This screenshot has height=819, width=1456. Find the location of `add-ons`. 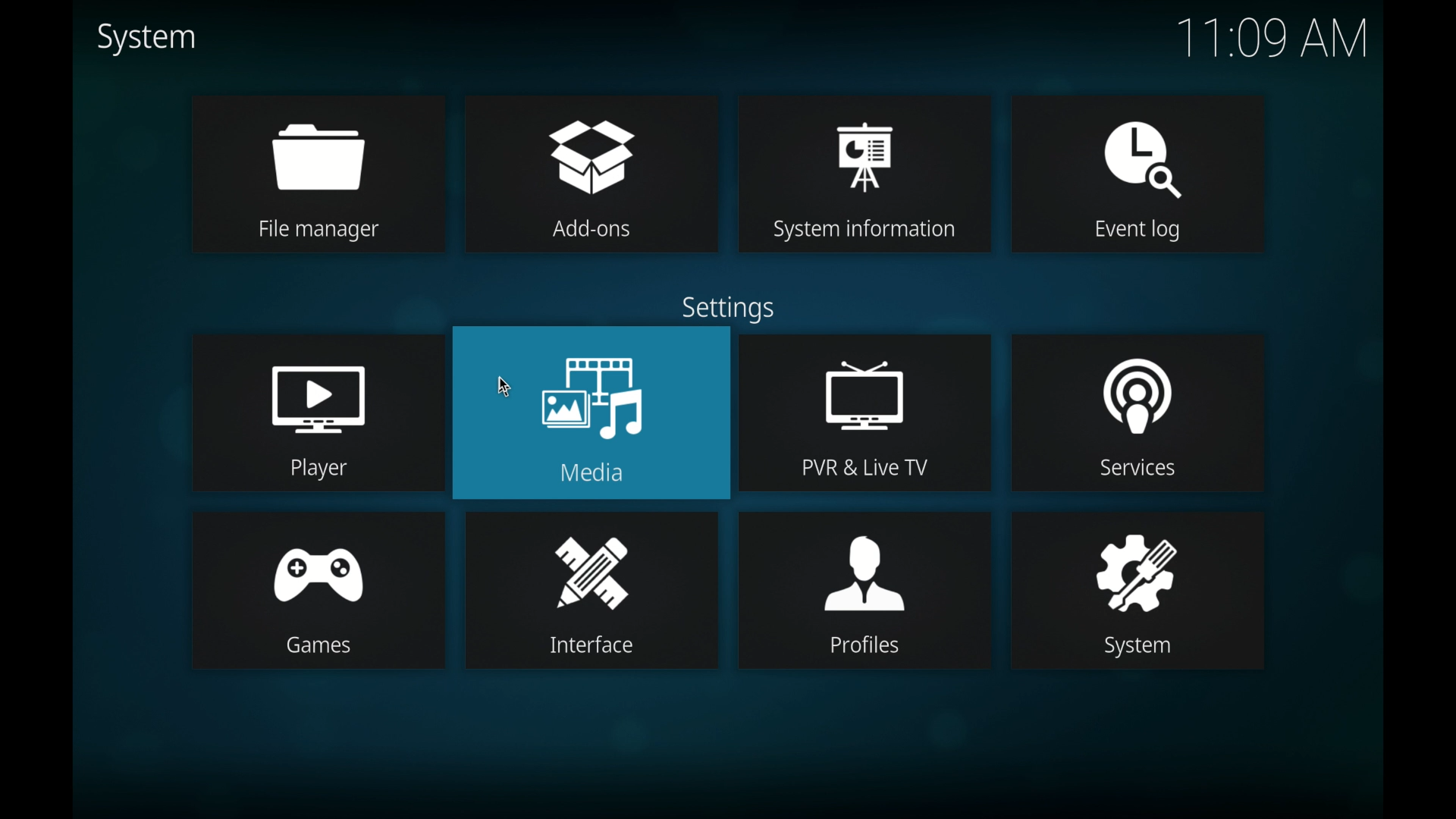

add-ons is located at coordinates (592, 173).